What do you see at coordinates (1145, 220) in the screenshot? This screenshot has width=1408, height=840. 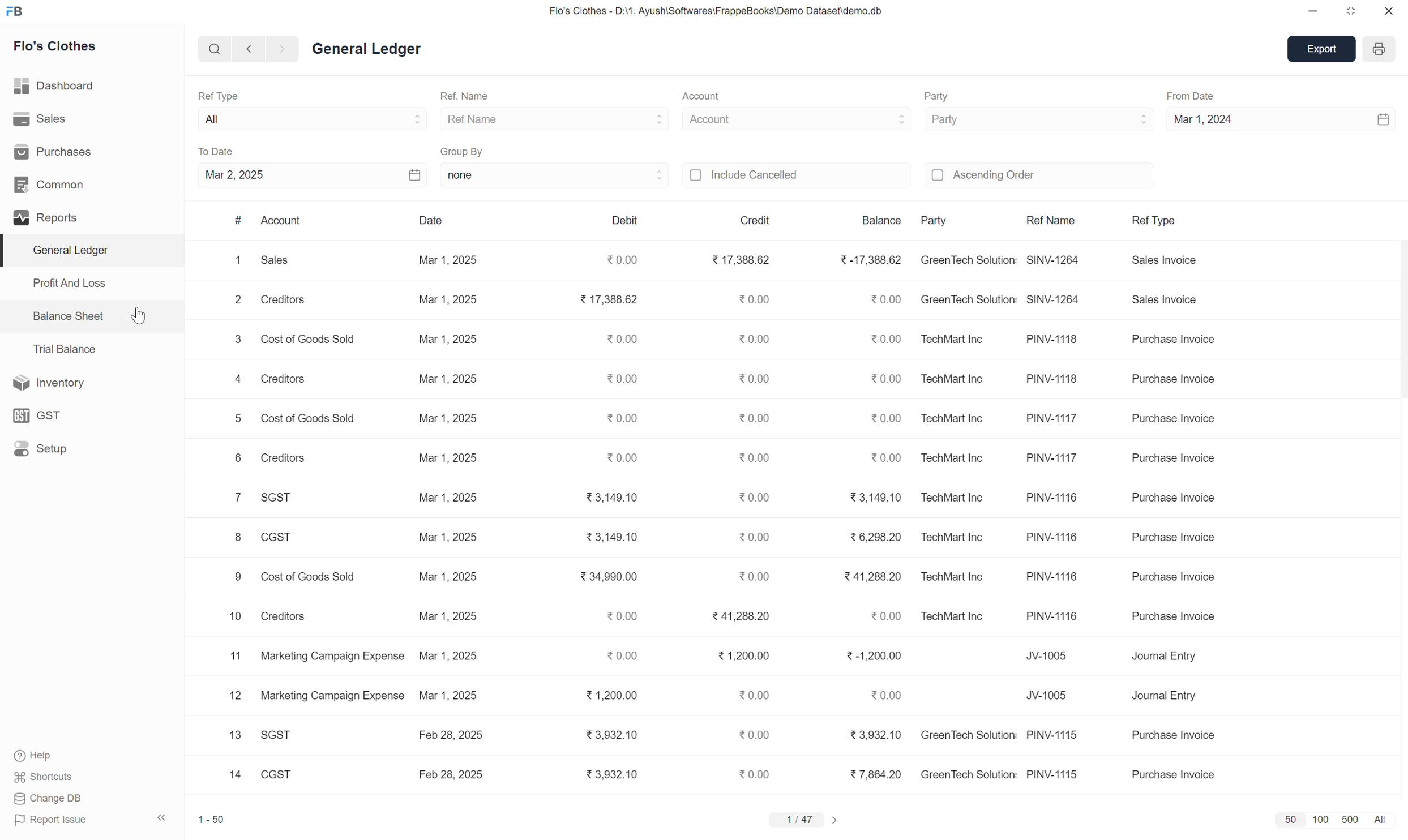 I see `Ref Type` at bounding box center [1145, 220].